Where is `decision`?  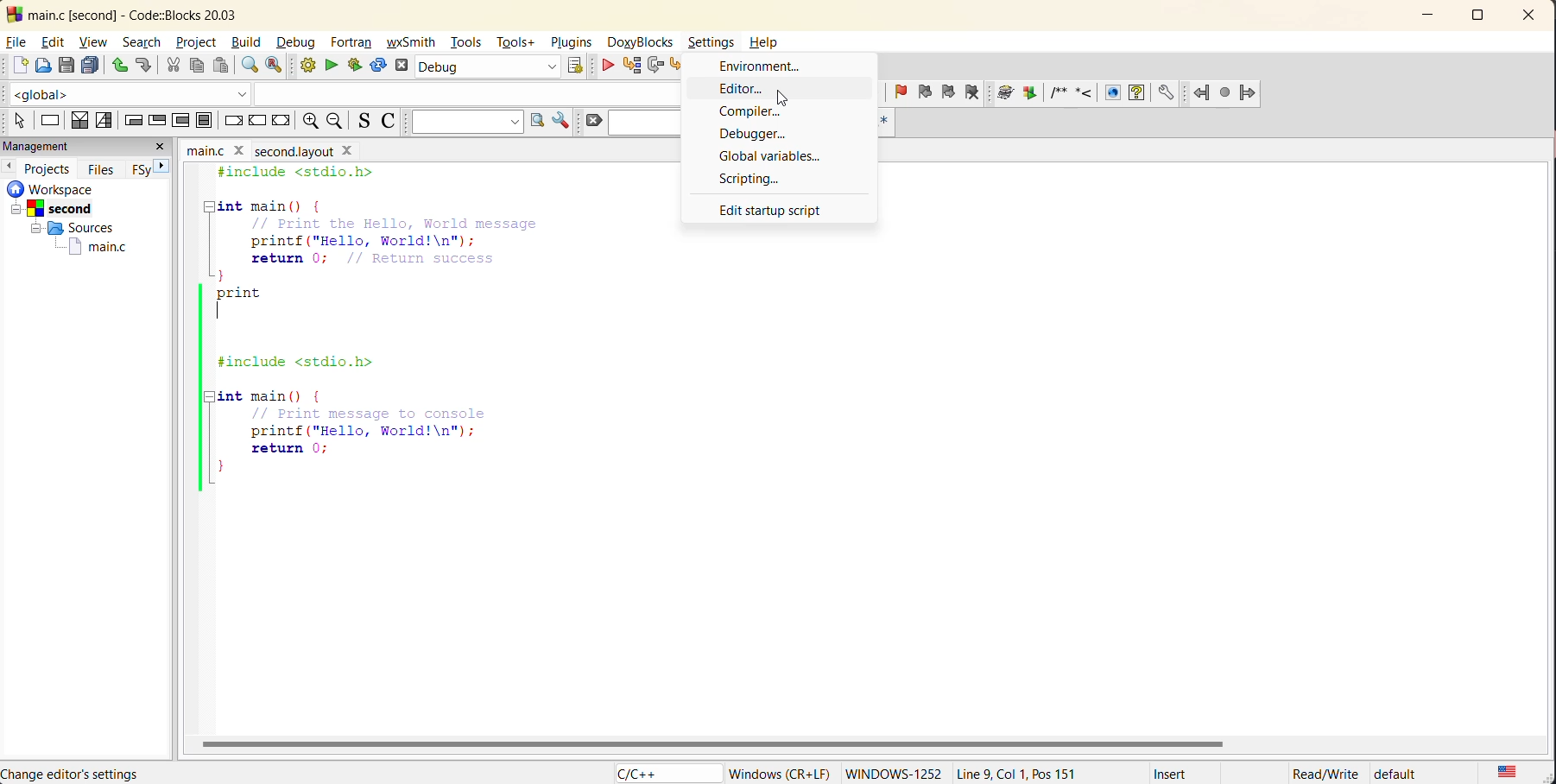
decision is located at coordinates (79, 121).